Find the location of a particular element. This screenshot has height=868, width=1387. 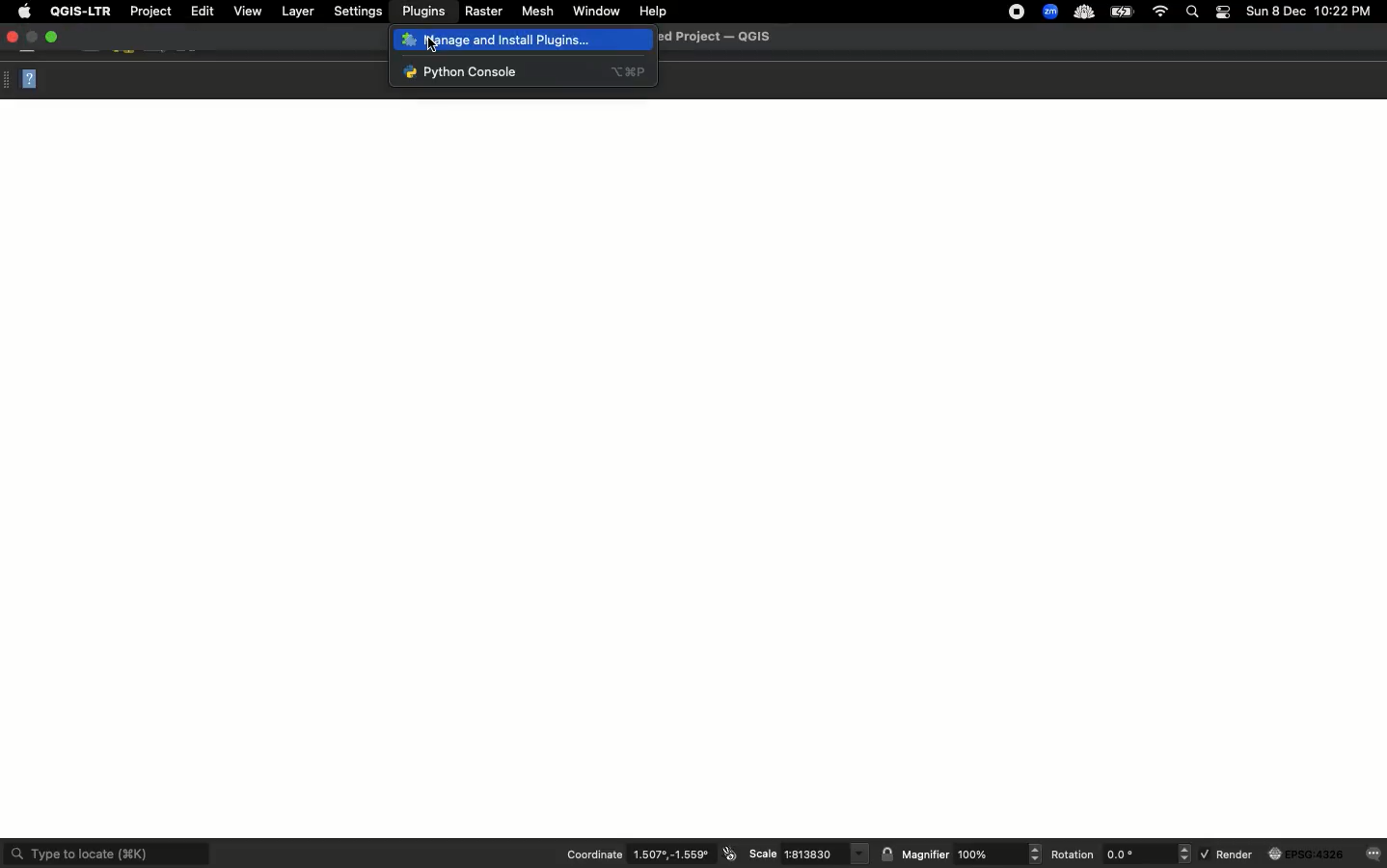

Plugins is located at coordinates (421, 12).